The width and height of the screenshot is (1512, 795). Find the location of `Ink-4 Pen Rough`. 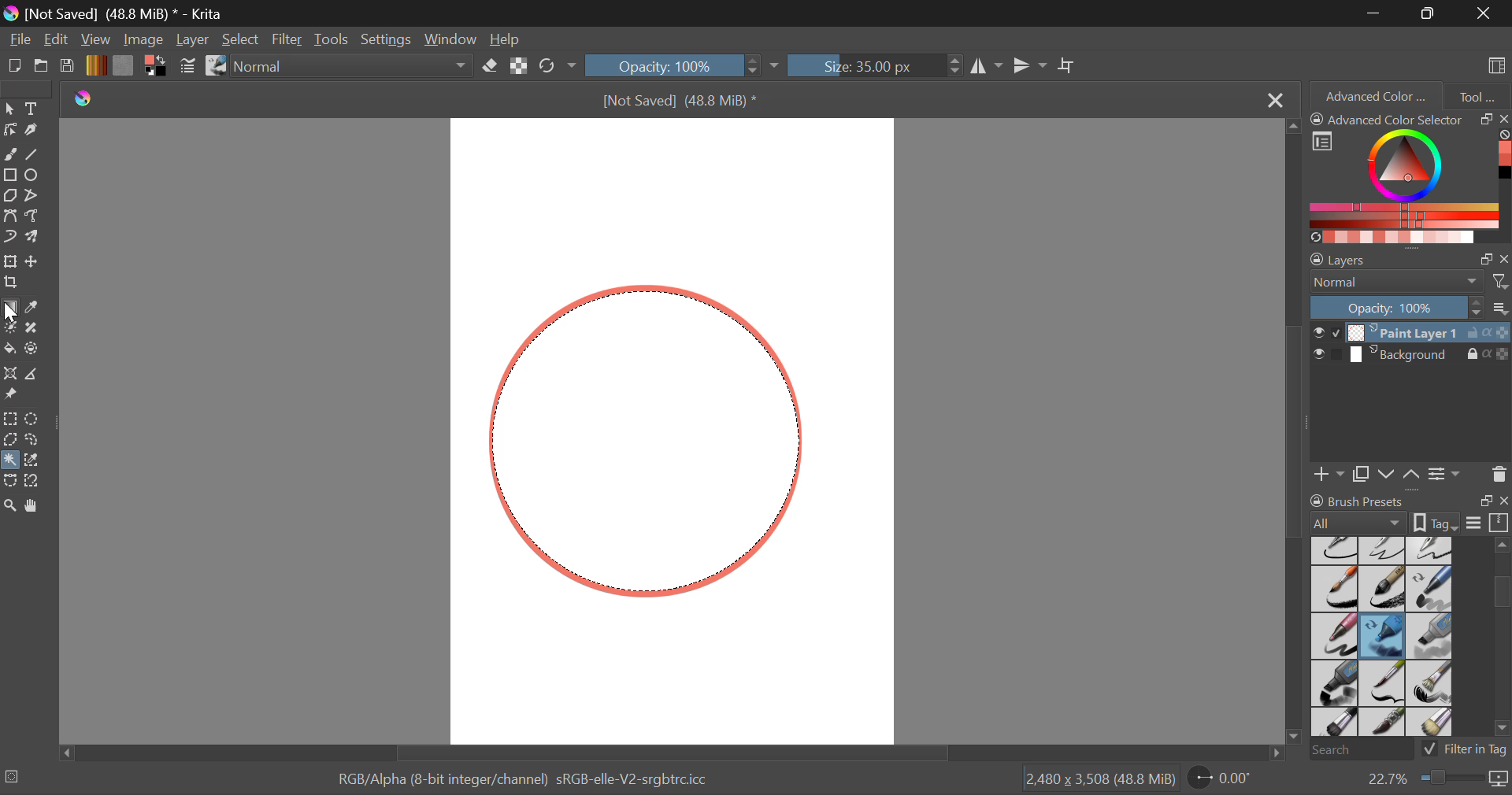

Ink-4 Pen Rough is located at coordinates (1430, 549).